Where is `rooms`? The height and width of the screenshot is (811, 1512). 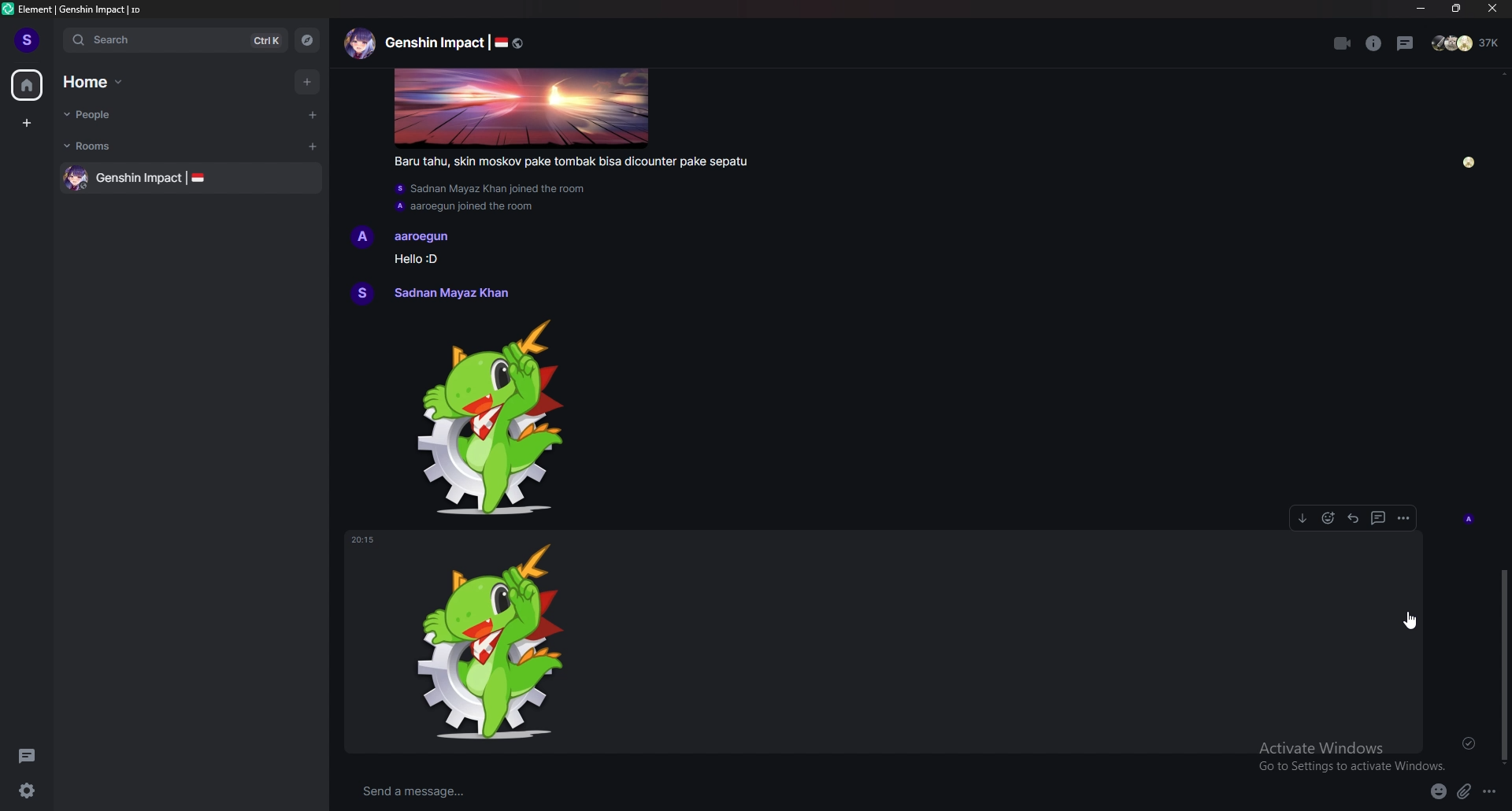
rooms is located at coordinates (106, 146).